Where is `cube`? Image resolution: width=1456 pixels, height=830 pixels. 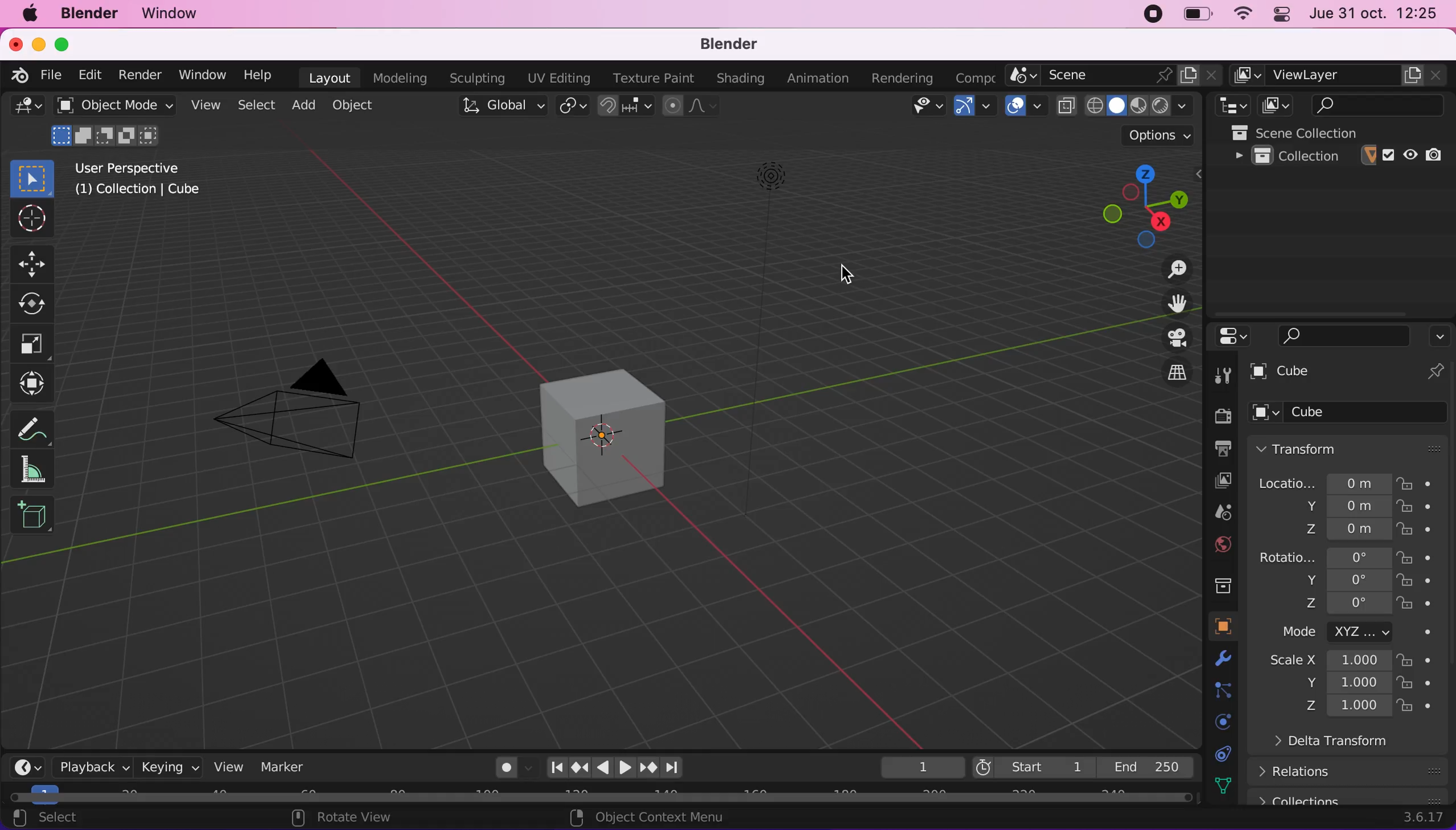
cube is located at coordinates (1328, 373).